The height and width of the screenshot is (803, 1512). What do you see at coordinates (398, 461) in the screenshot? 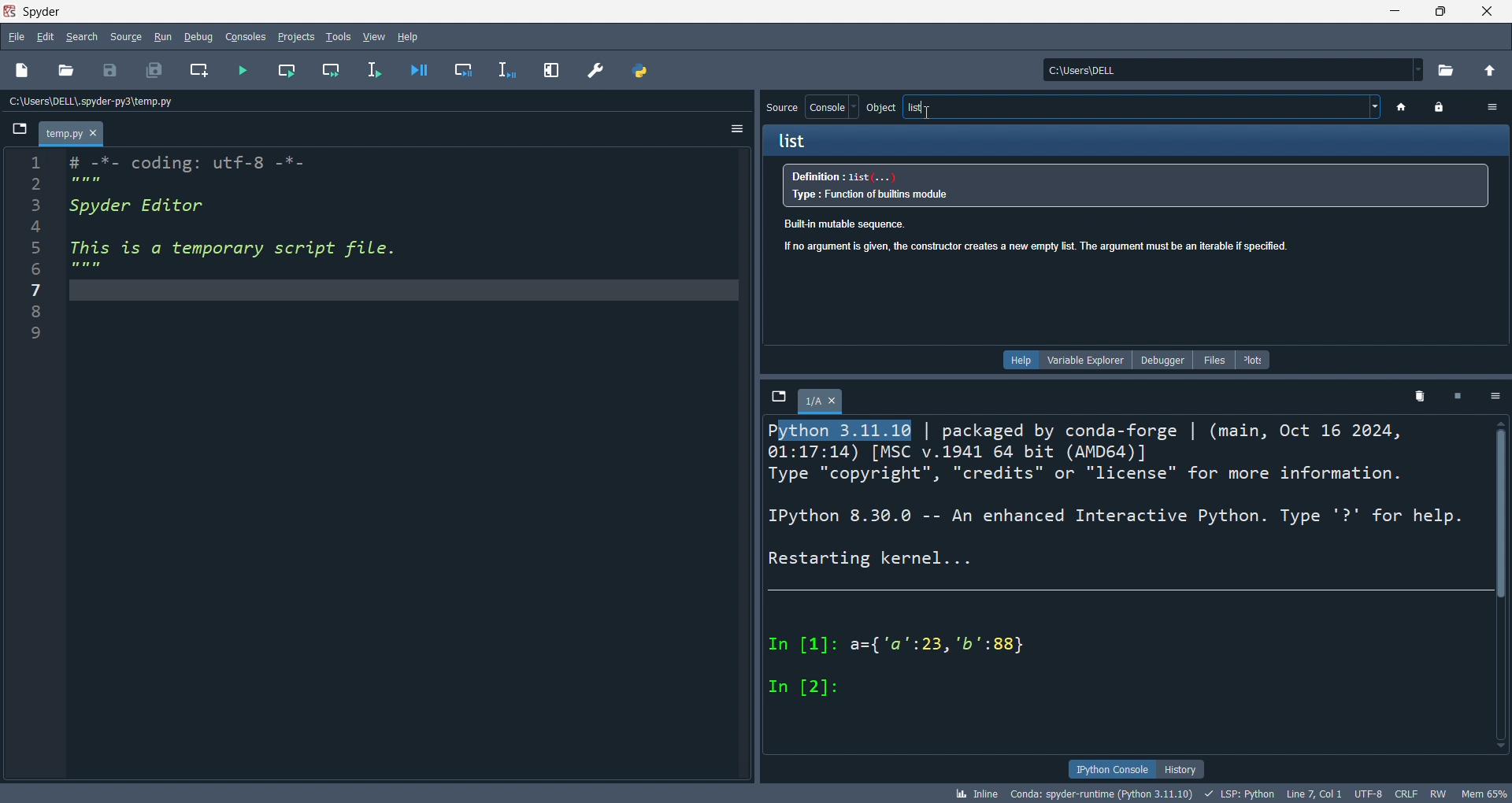
I see `# -*- coding: utf-8 -*-
Spyder Editor
This is a temporary script file.` at bounding box center [398, 461].